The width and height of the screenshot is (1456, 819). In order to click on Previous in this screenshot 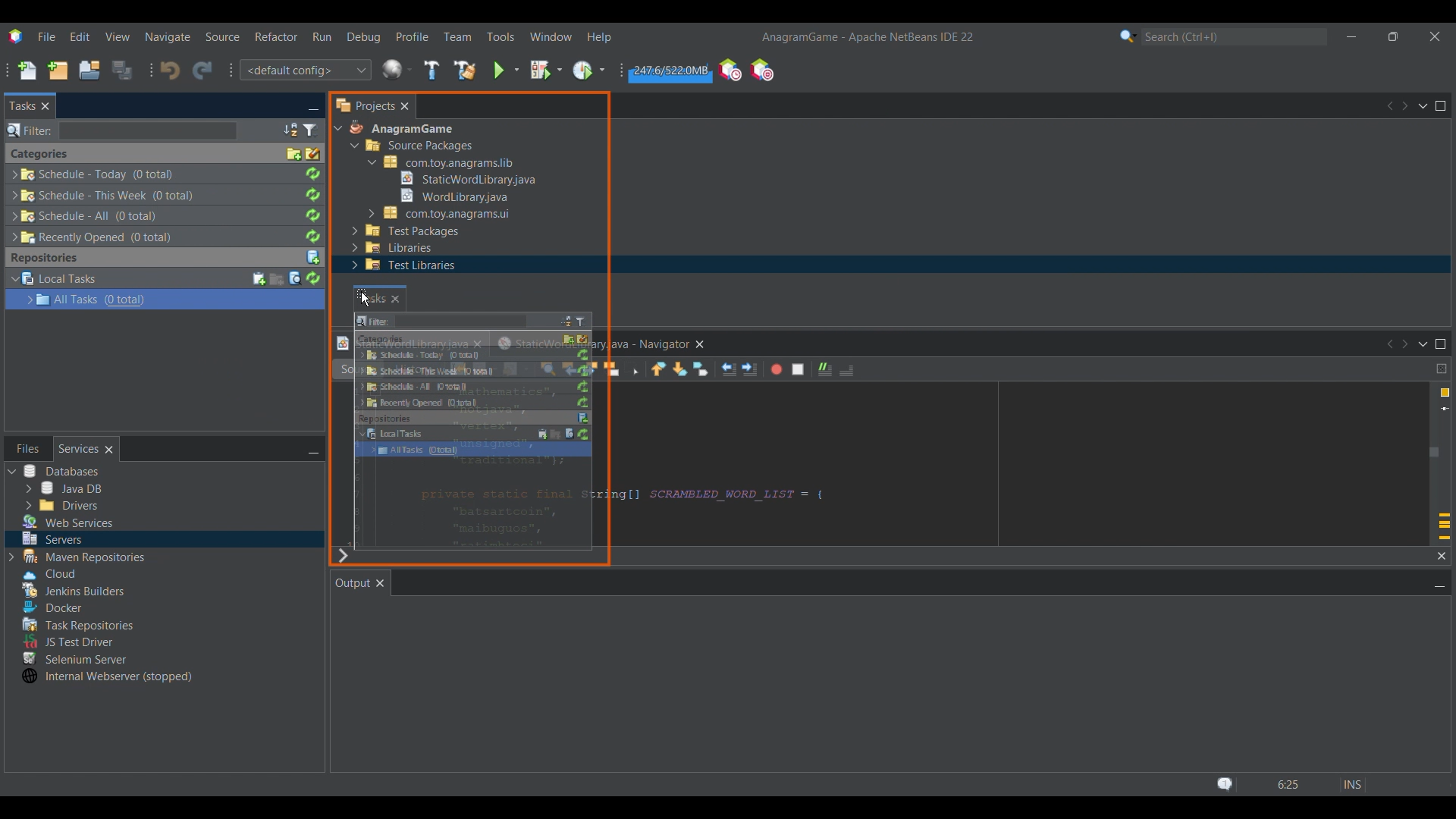, I will do `click(1389, 344)`.